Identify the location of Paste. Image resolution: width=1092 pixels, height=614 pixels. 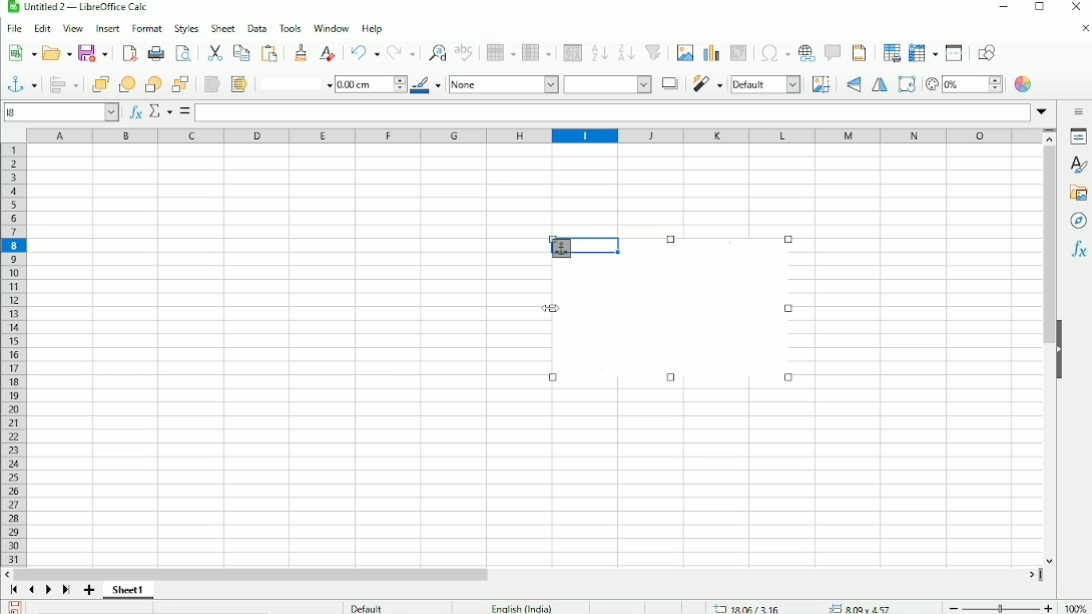
(215, 52).